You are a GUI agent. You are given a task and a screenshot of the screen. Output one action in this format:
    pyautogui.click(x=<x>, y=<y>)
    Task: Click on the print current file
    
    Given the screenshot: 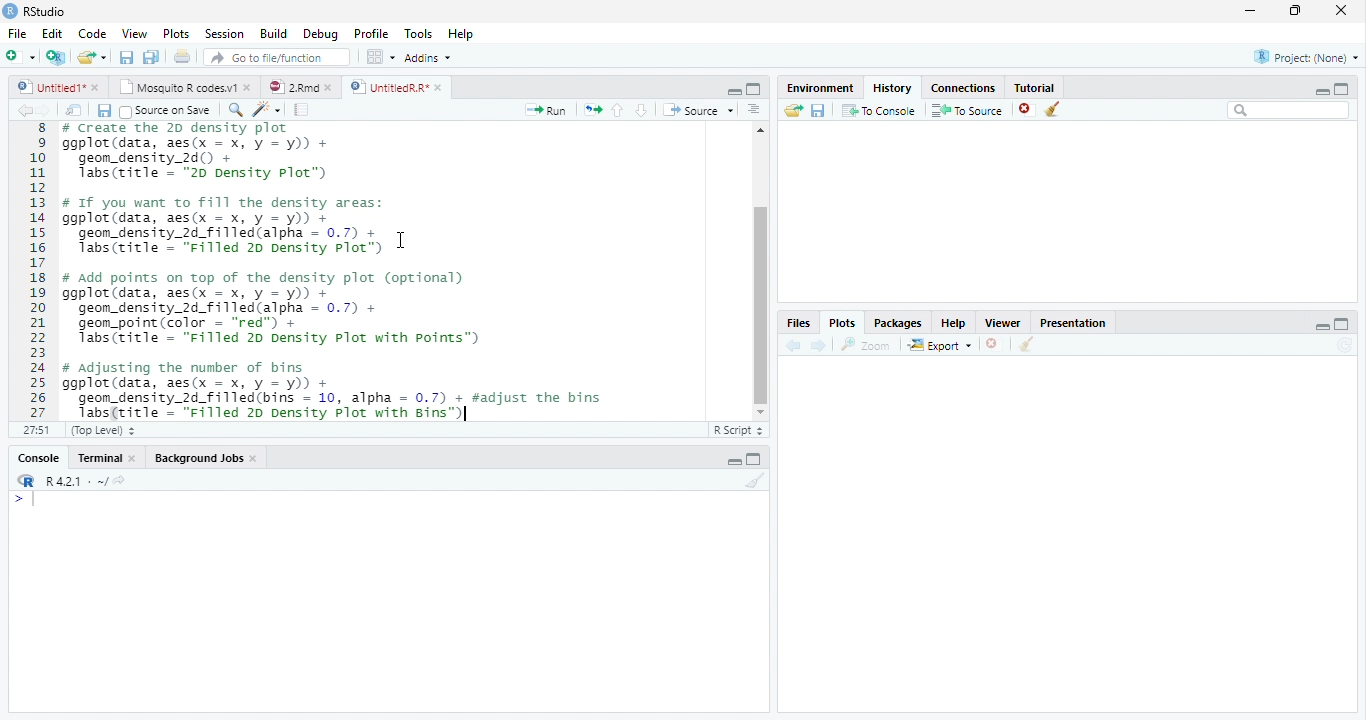 What is the action you would take?
    pyautogui.click(x=182, y=56)
    